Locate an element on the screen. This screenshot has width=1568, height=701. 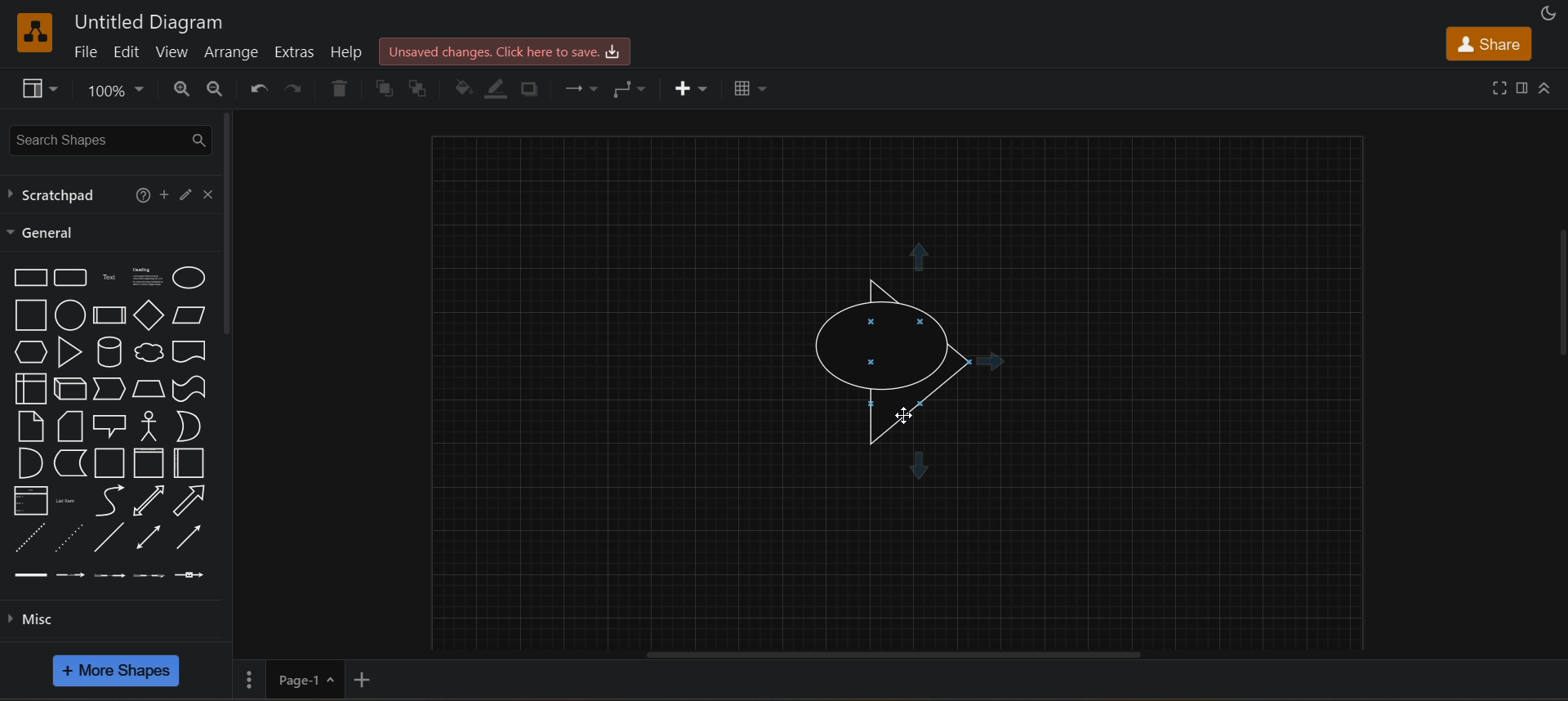
scratchpad is located at coordinates (57, 194).